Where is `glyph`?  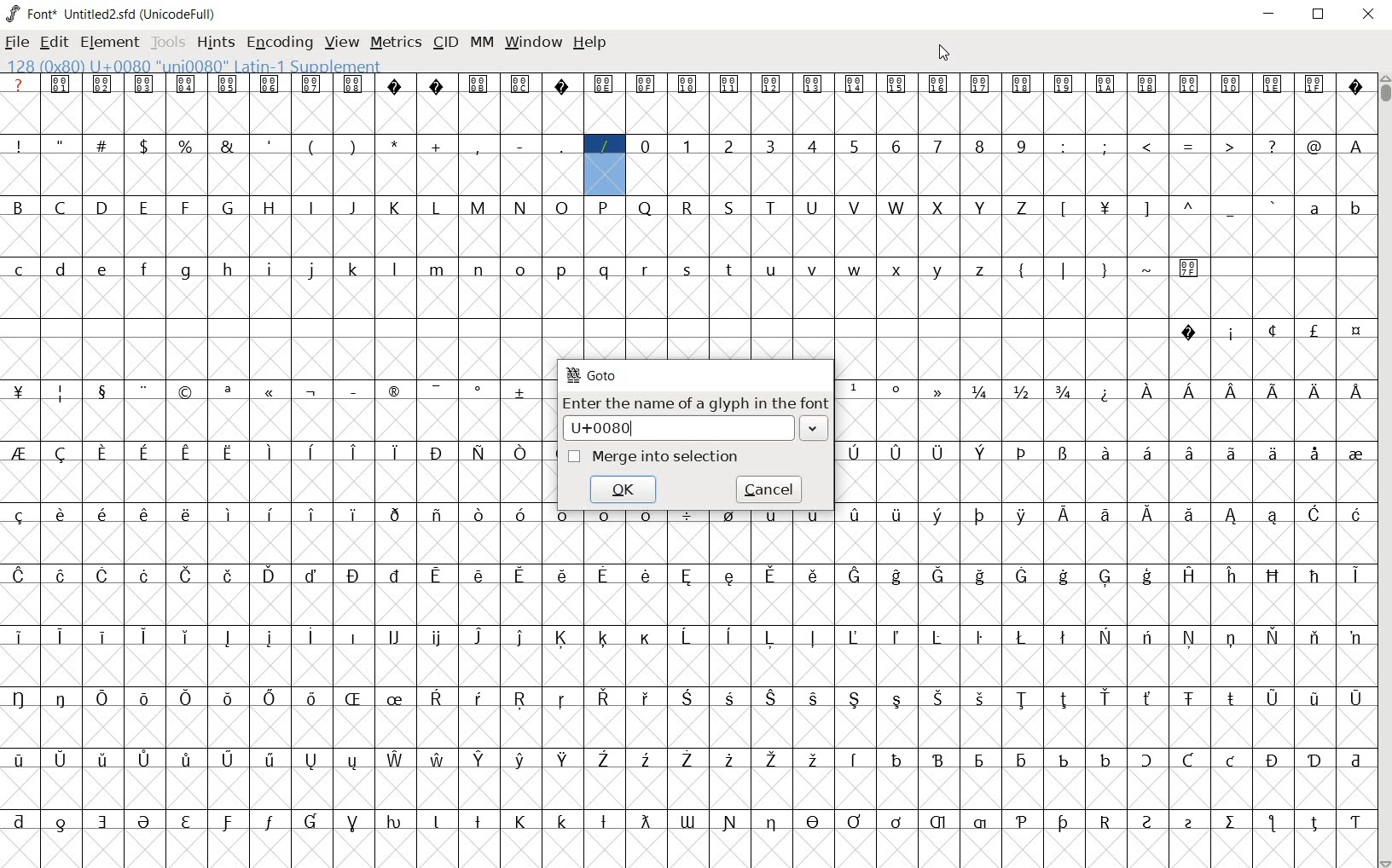 glyph is located at coordinates (604, 146).